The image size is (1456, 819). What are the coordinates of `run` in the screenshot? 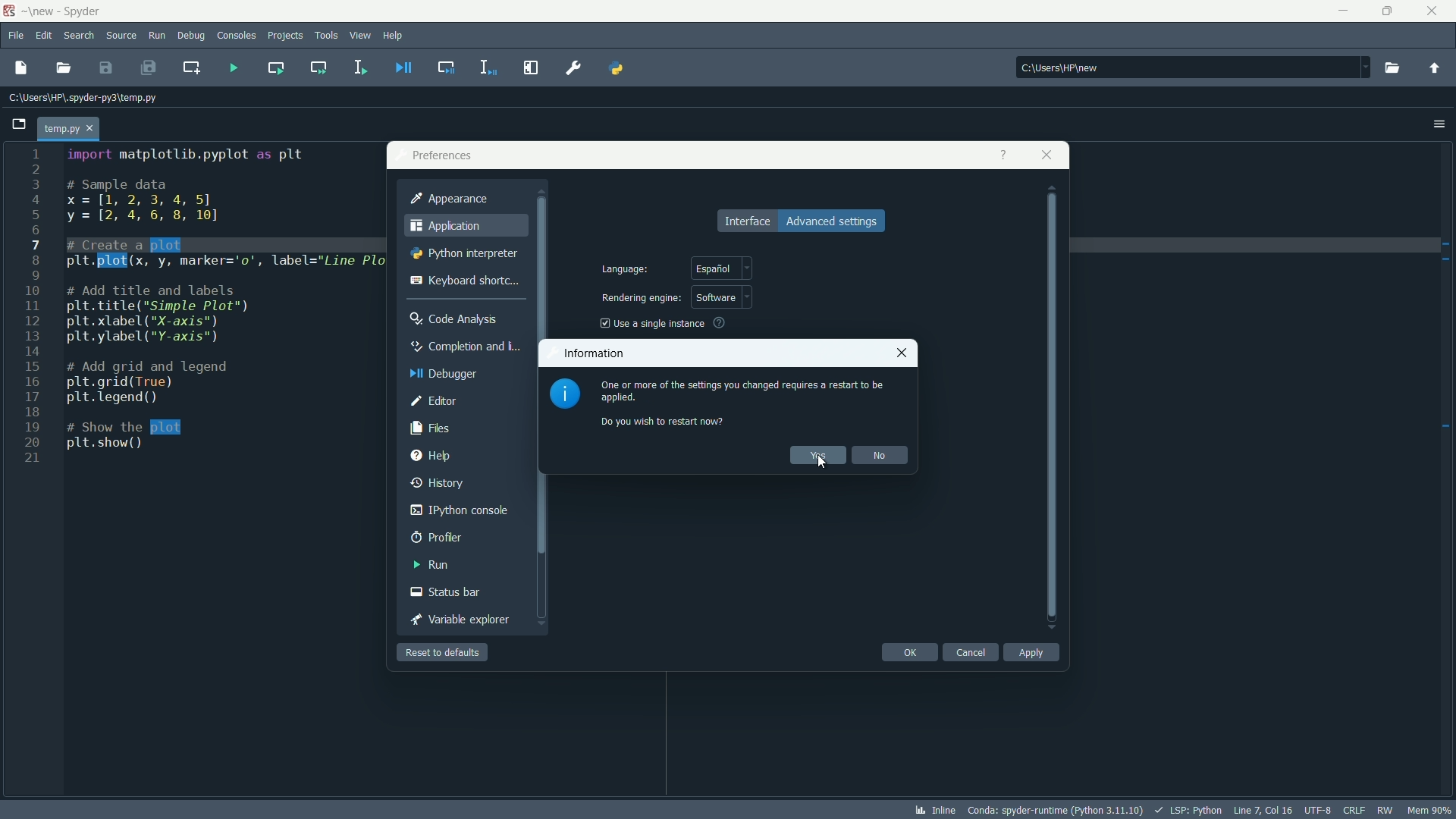 It's located at (157, 36).